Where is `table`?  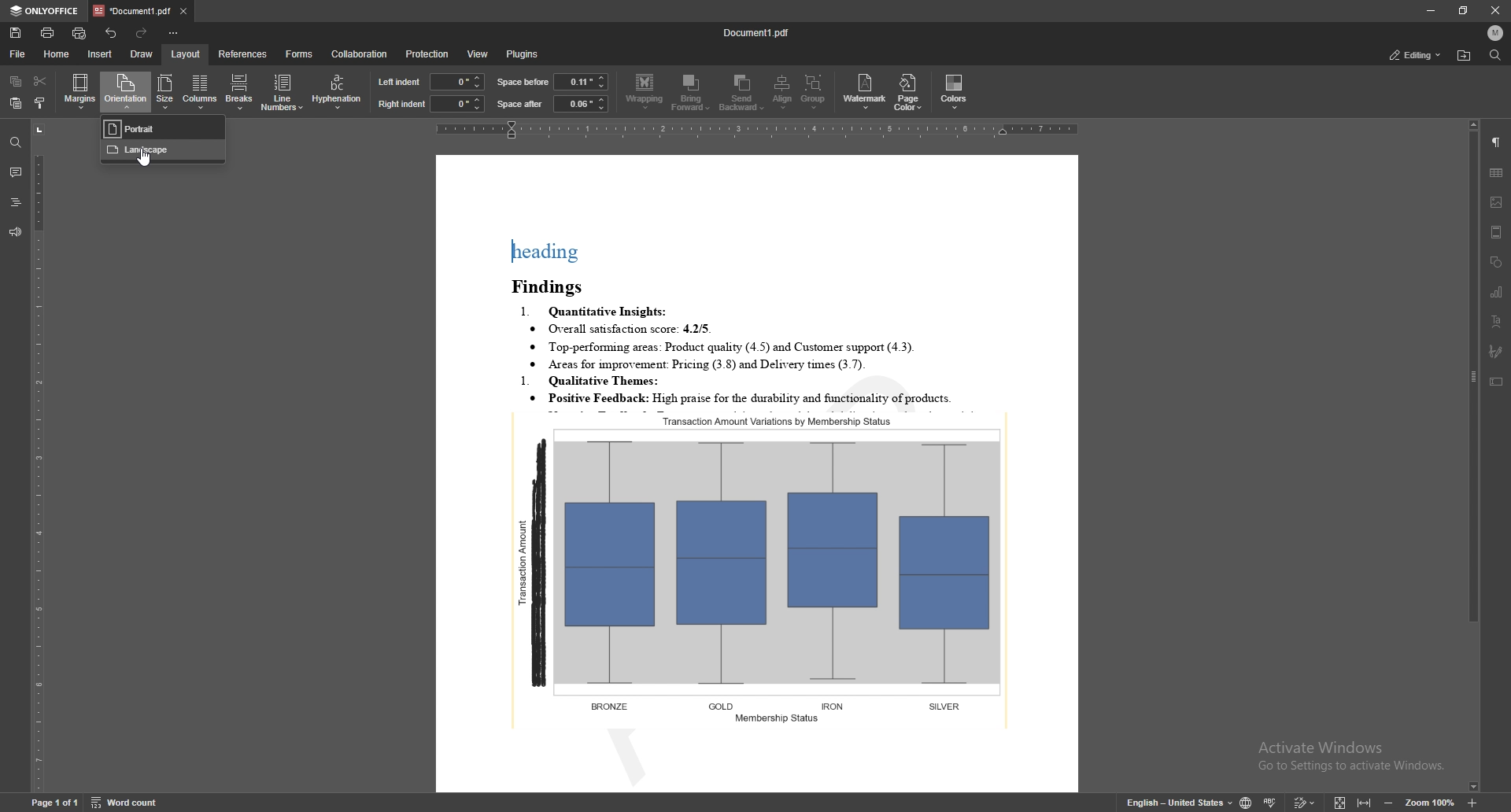
table is located at coordinates (1497, 173).